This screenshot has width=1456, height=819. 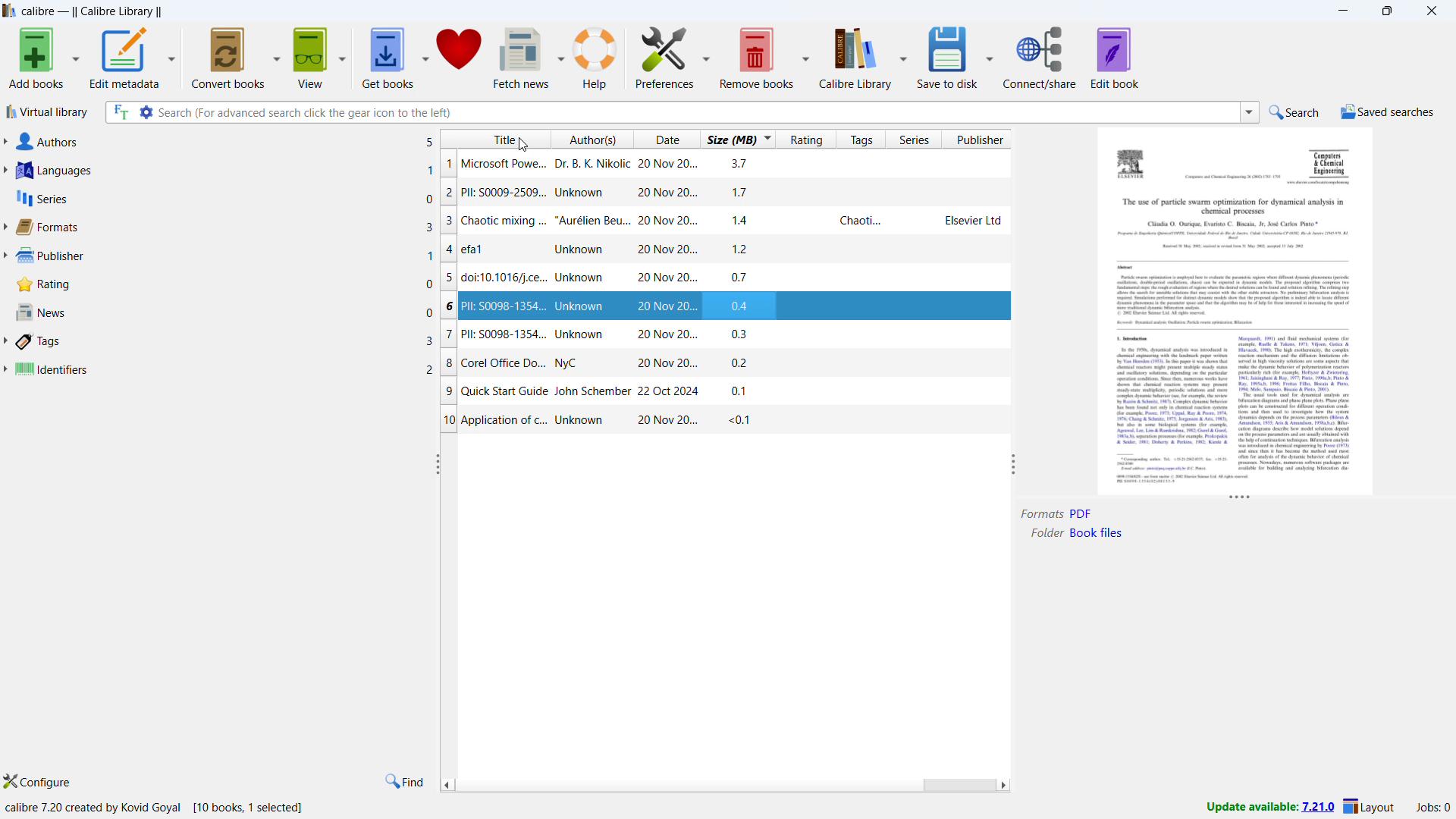 What do you see at coordinates (449, 276) in the screenshot?
I see `5` at bounding box center [449, 276].